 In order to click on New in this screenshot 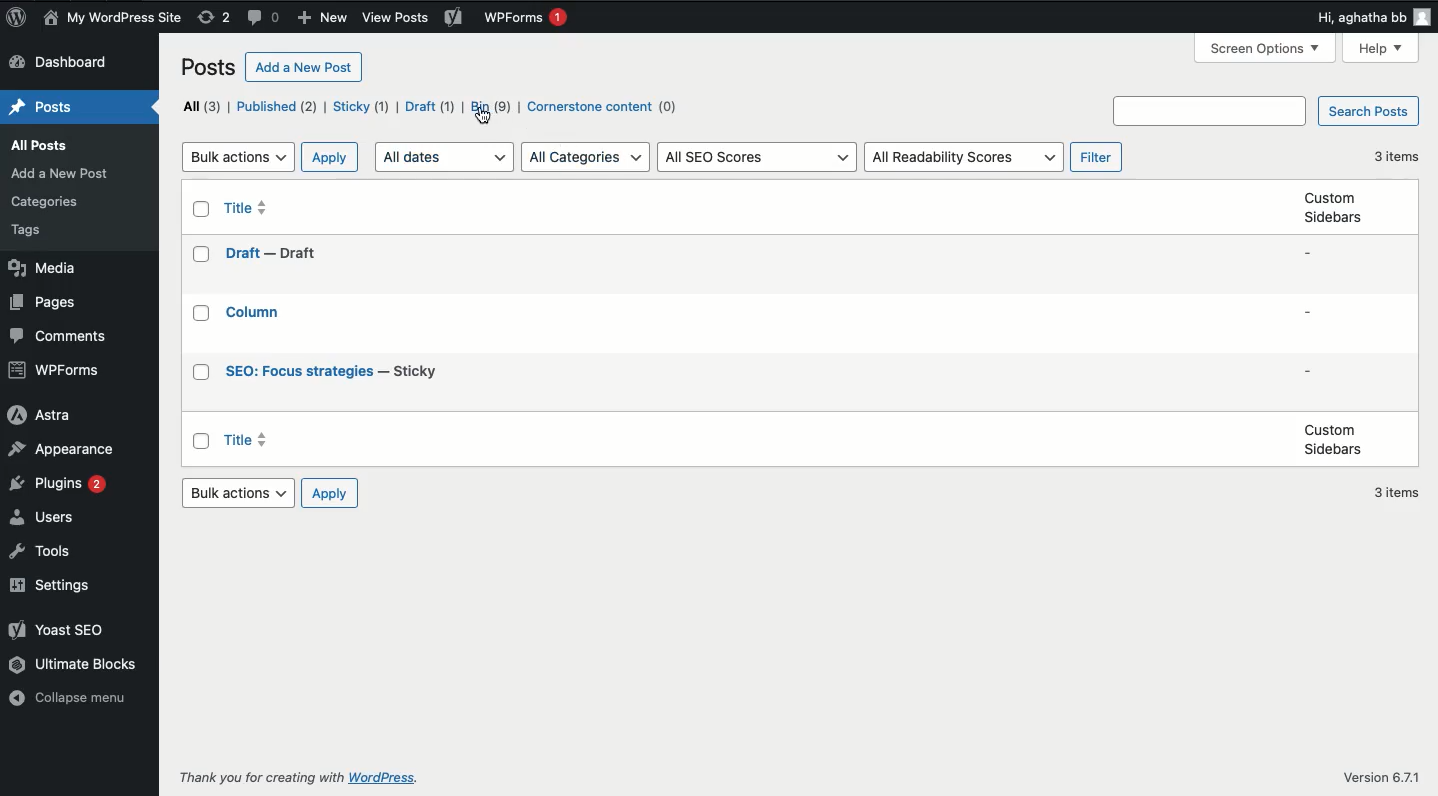, I will do `click(323, 18)`.